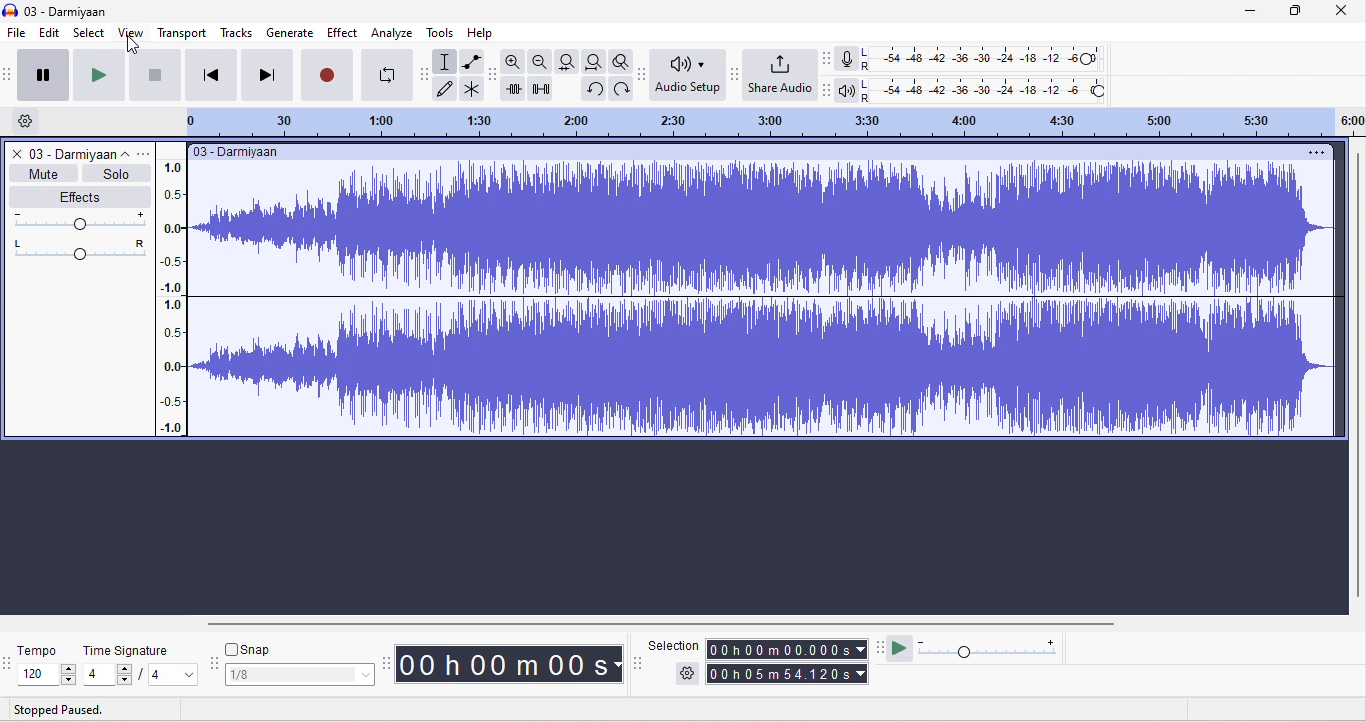 The image size is (1366, 722). Describe the element at coordinates (687, 674) in the screenshot. I see `selection options` at that location.